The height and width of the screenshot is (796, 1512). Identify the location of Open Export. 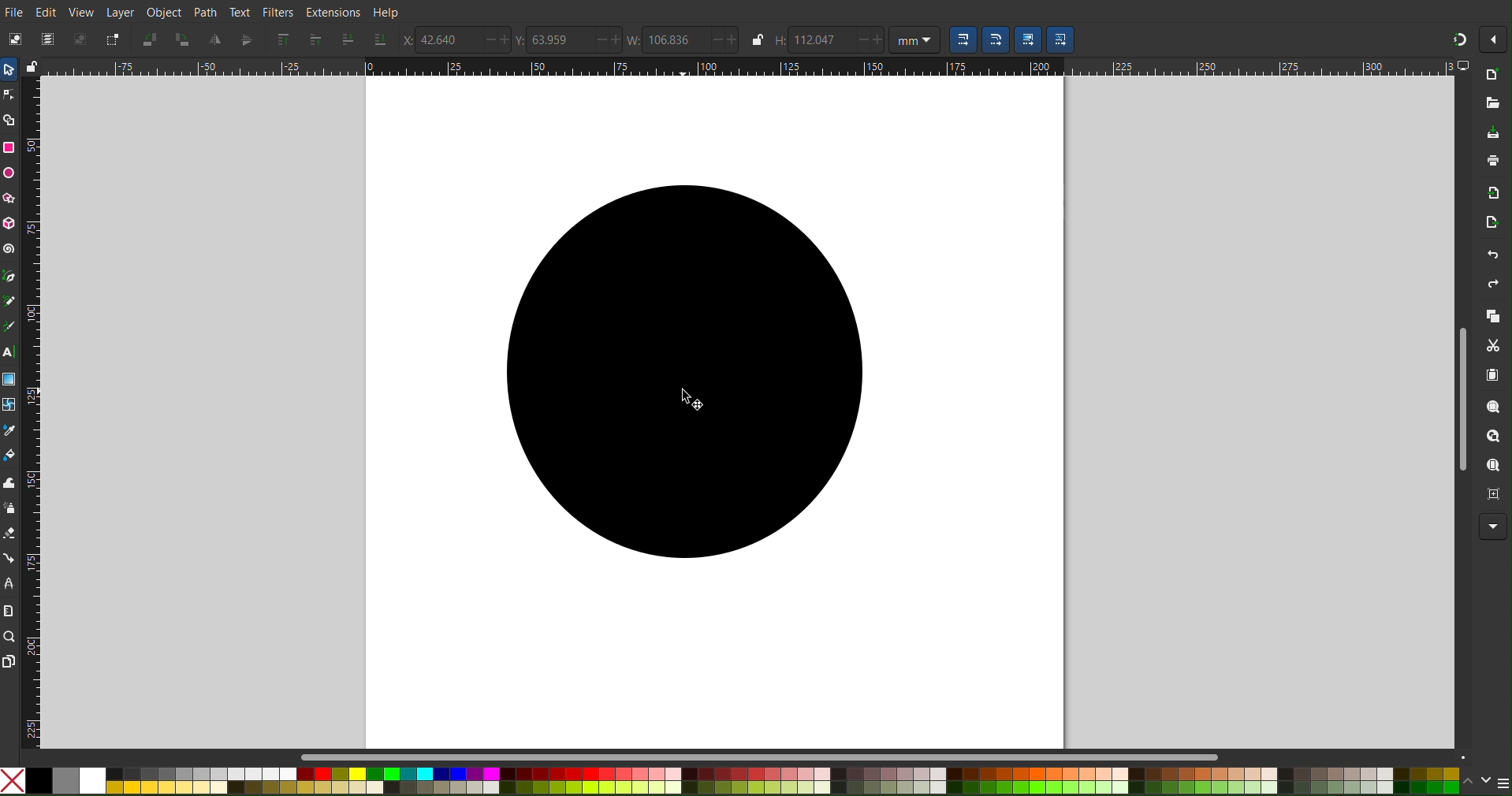
(1492, 224).